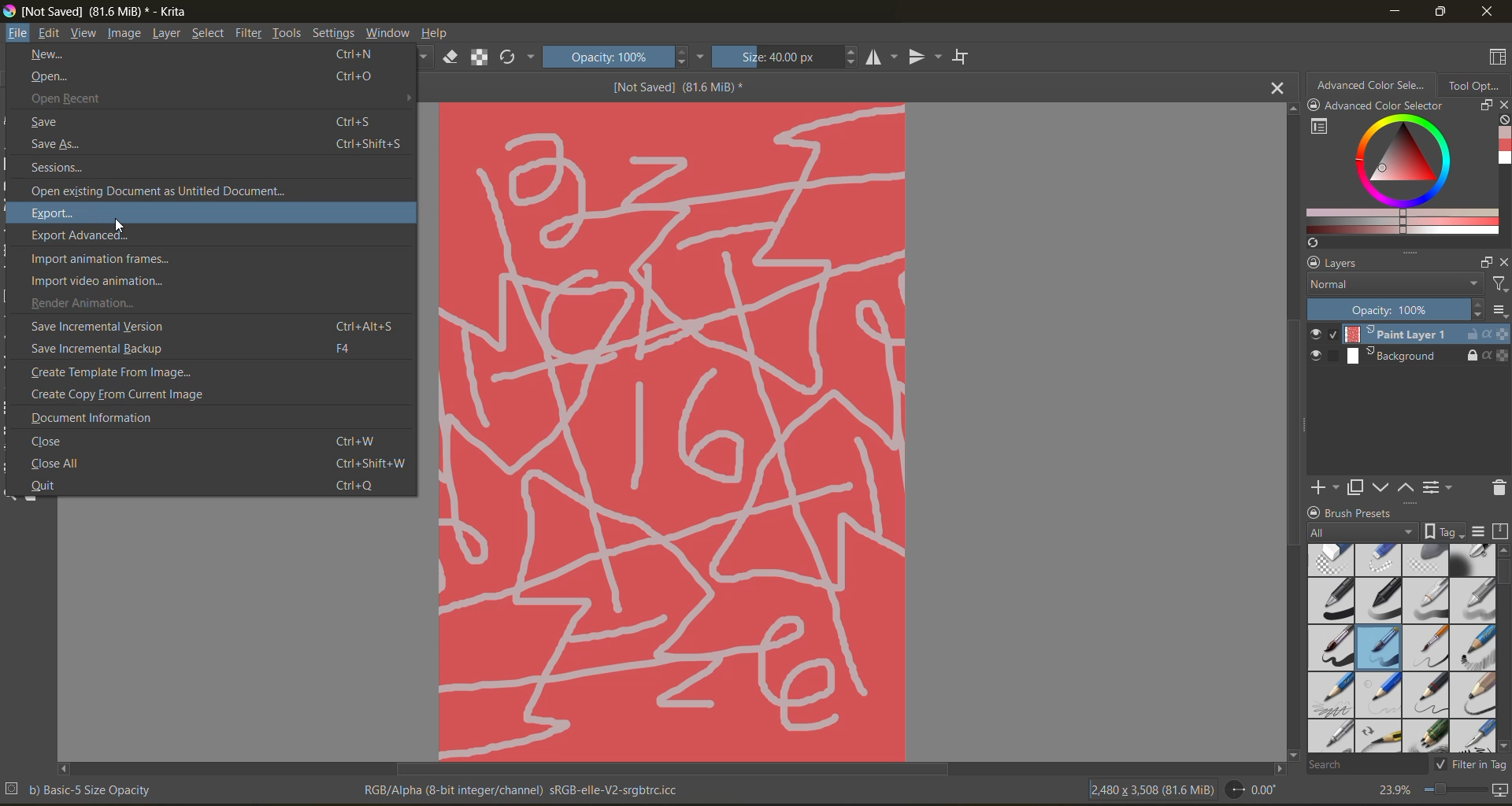 This screenshot has height=806, width=1512. I want to click on choose workspace, so click(1494, 59).